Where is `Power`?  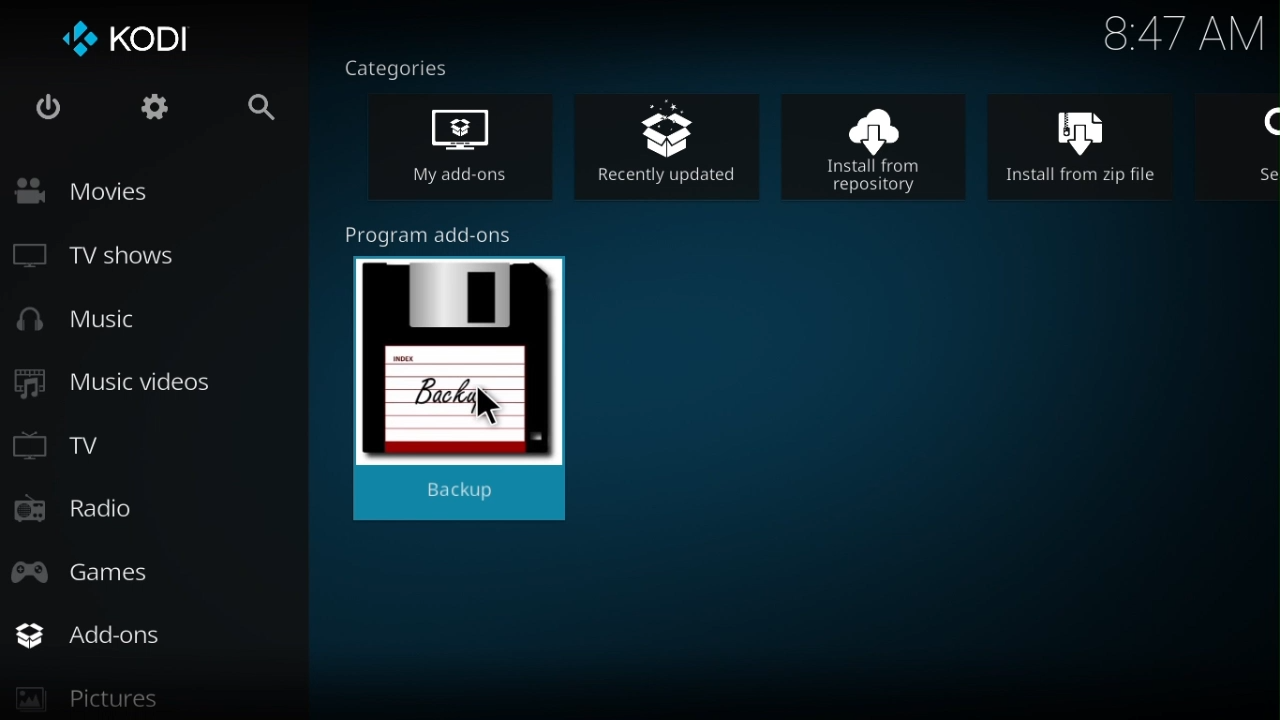
Power is located at coordinates (48, 111).